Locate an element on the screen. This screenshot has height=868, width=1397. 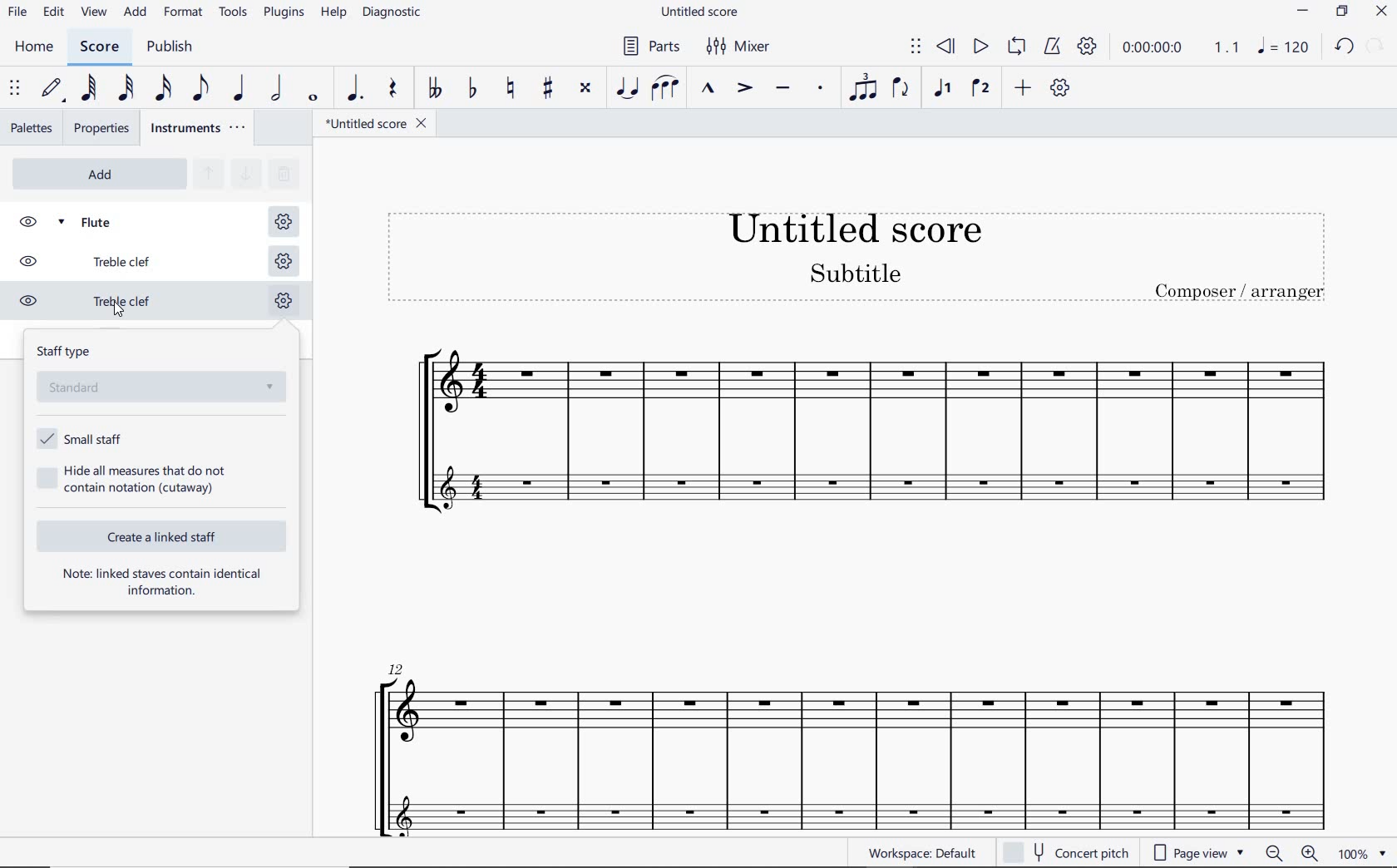
64TH NOTE is located at coordinates (90, 88).